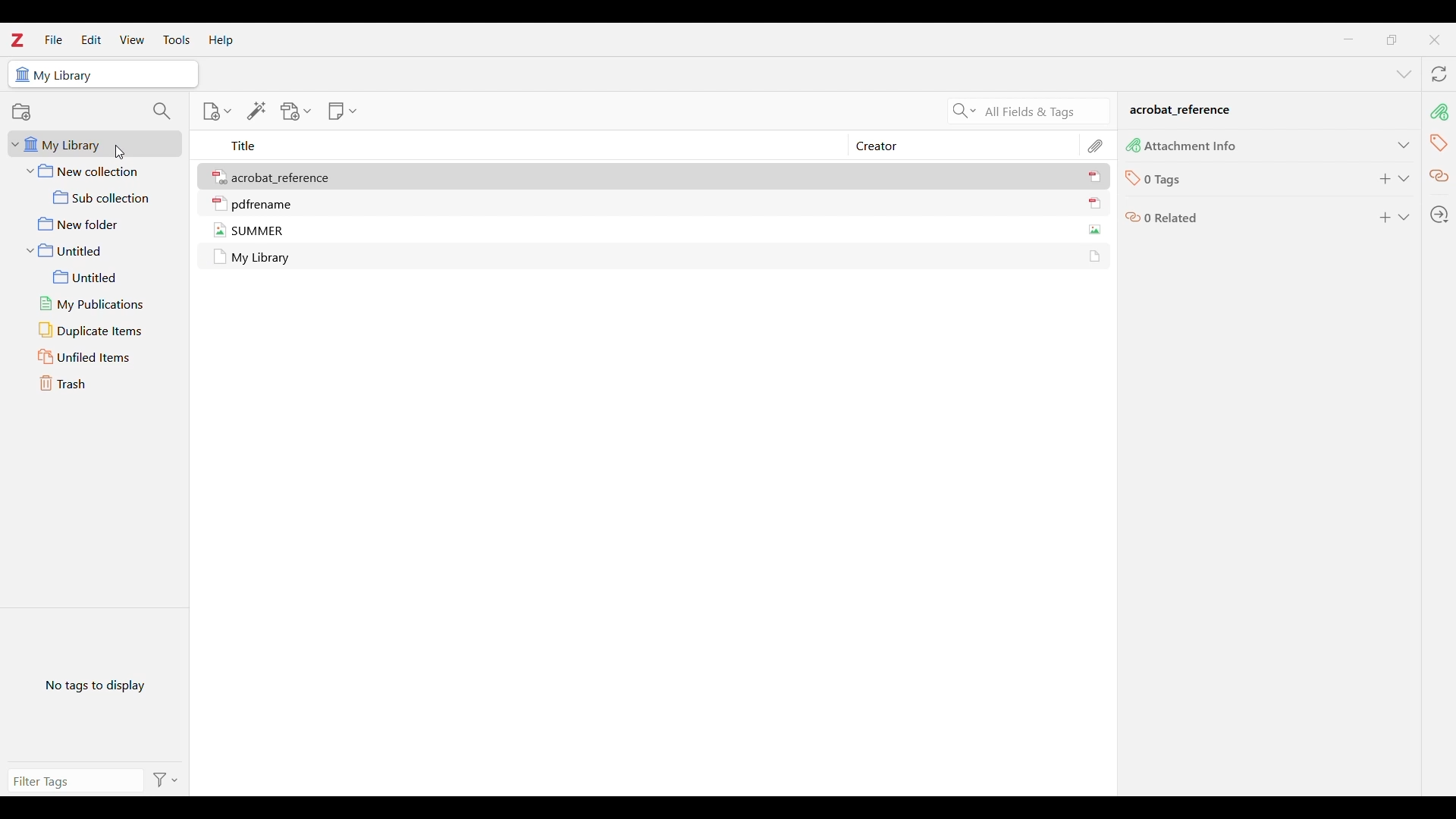 Image resolution: width=1456 pixels, height=819 pixels. What do you see at coordinates (221, 39) in the screenshot?
I see `Help menu` at bounding box center [221, 39].